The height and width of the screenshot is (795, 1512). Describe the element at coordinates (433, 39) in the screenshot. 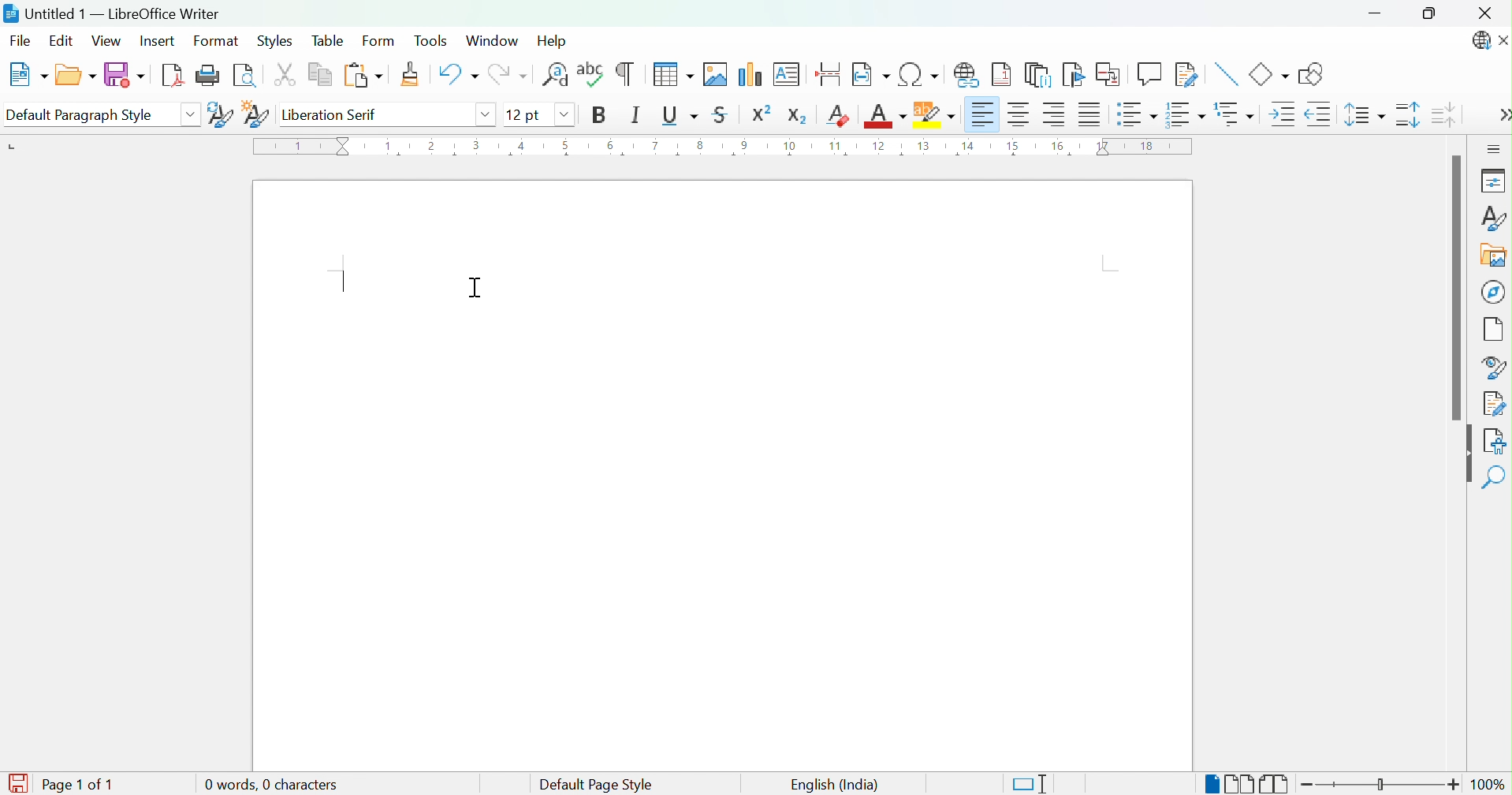

I see `Tools` at that location.